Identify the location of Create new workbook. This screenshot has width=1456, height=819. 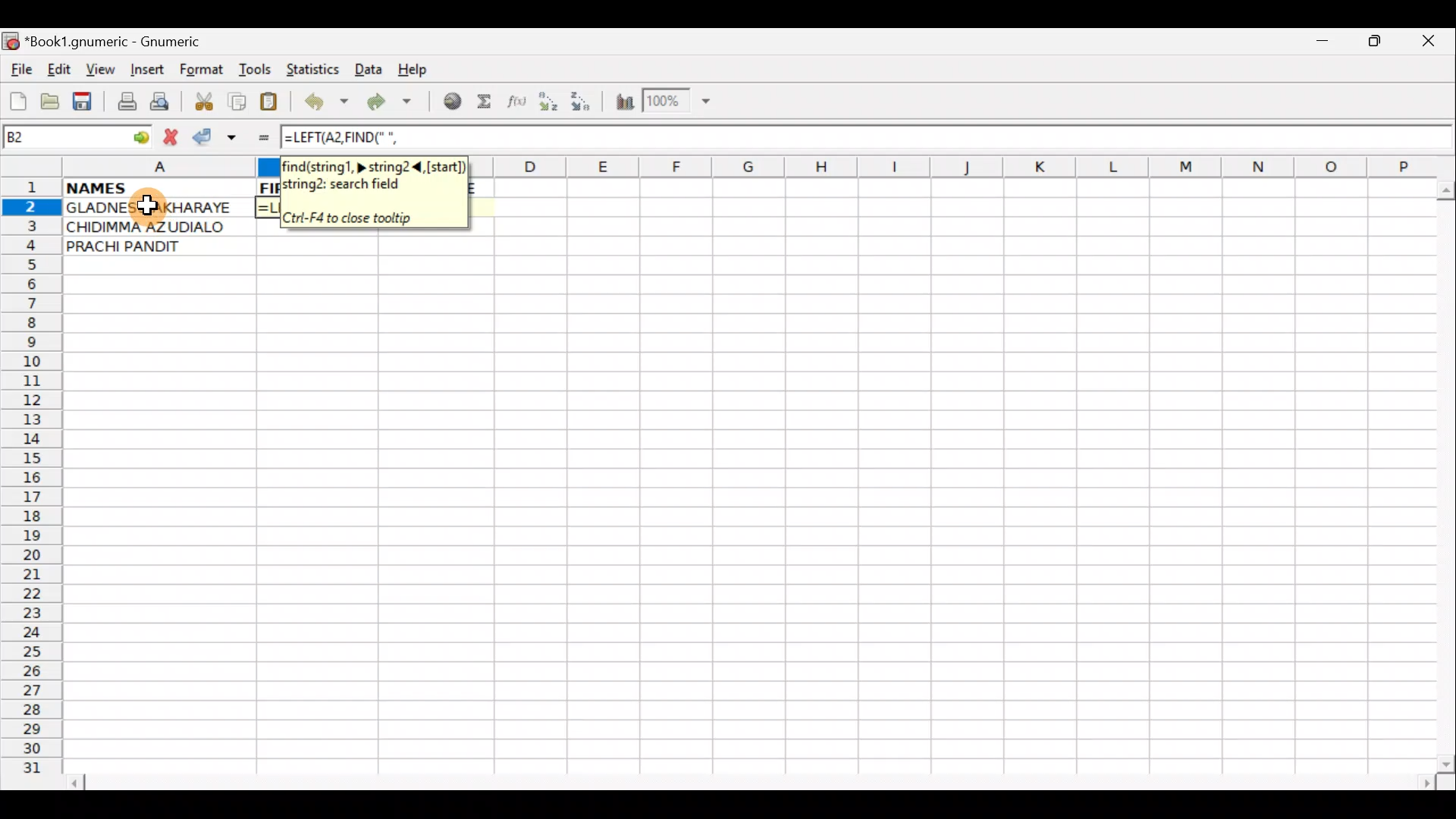
(17, 99).